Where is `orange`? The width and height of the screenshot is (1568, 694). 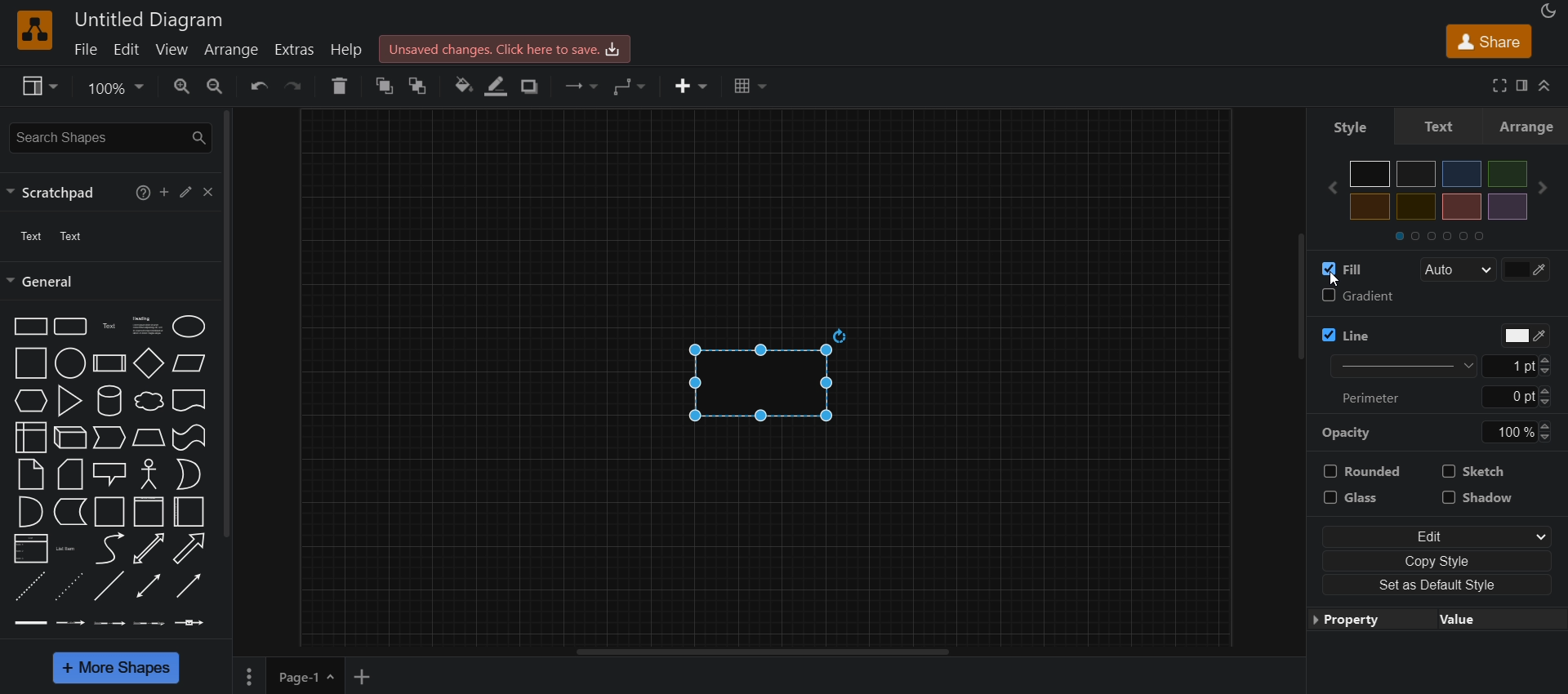
orange is located at coordinates (1371, 207).